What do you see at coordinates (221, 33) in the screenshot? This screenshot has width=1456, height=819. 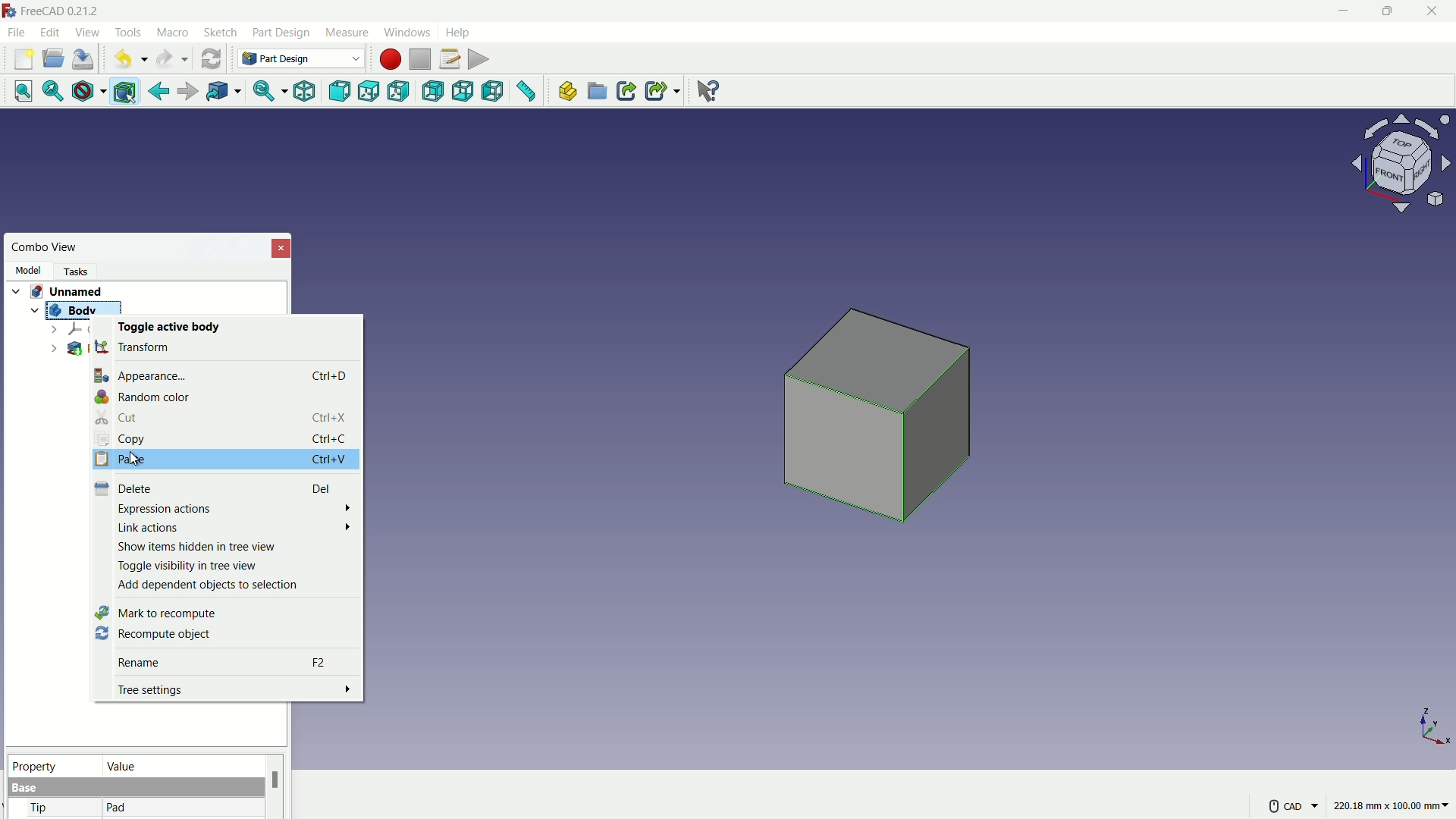 I see `sketch` at bounding box center [221, 33].